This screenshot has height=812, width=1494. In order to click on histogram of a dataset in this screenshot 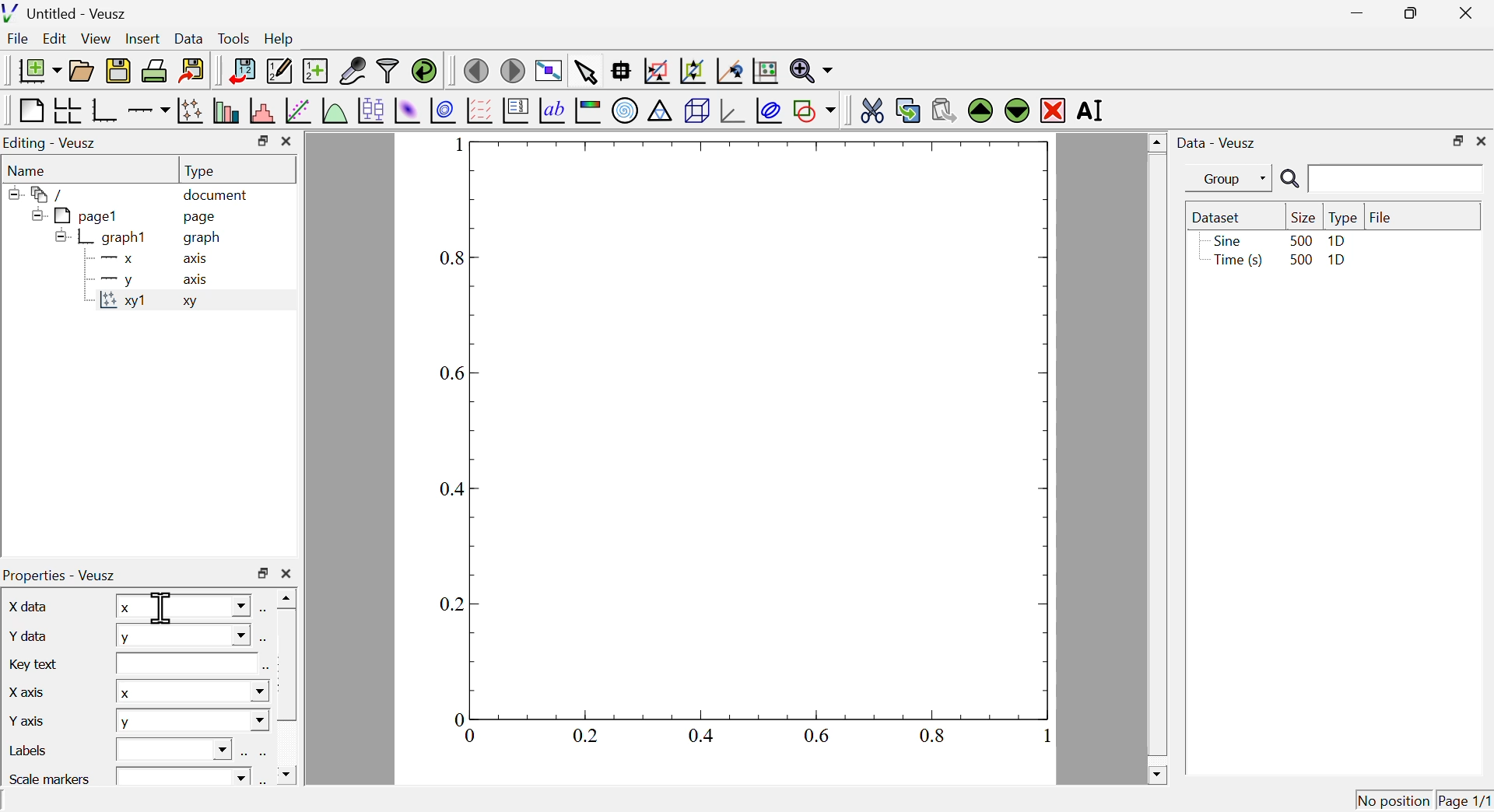, I will do `click(261, 110)`.